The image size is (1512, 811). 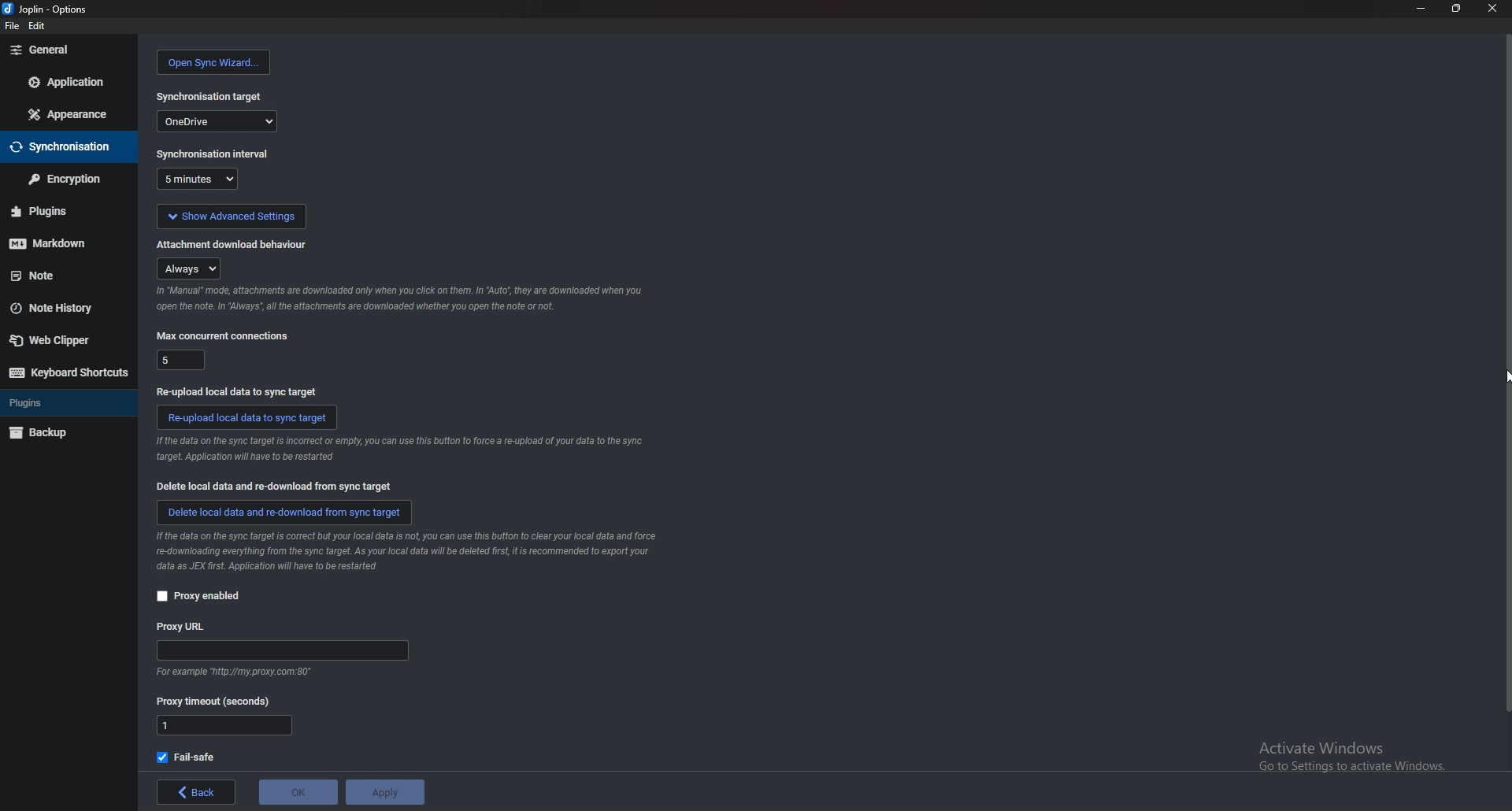 I want to click on proxy timeout, so click(x=217, y=701).